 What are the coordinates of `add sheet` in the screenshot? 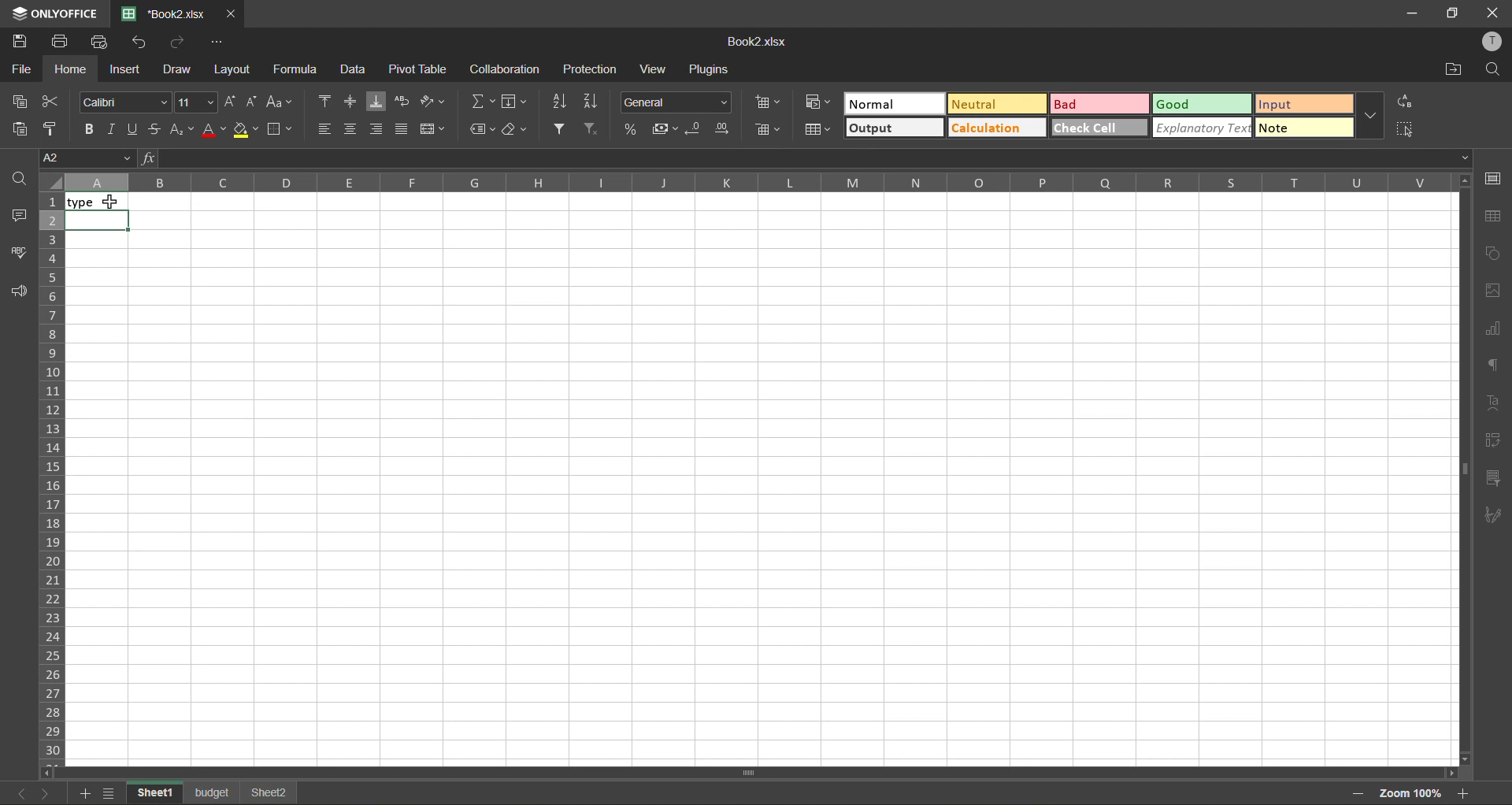 It's located at (84, 794).